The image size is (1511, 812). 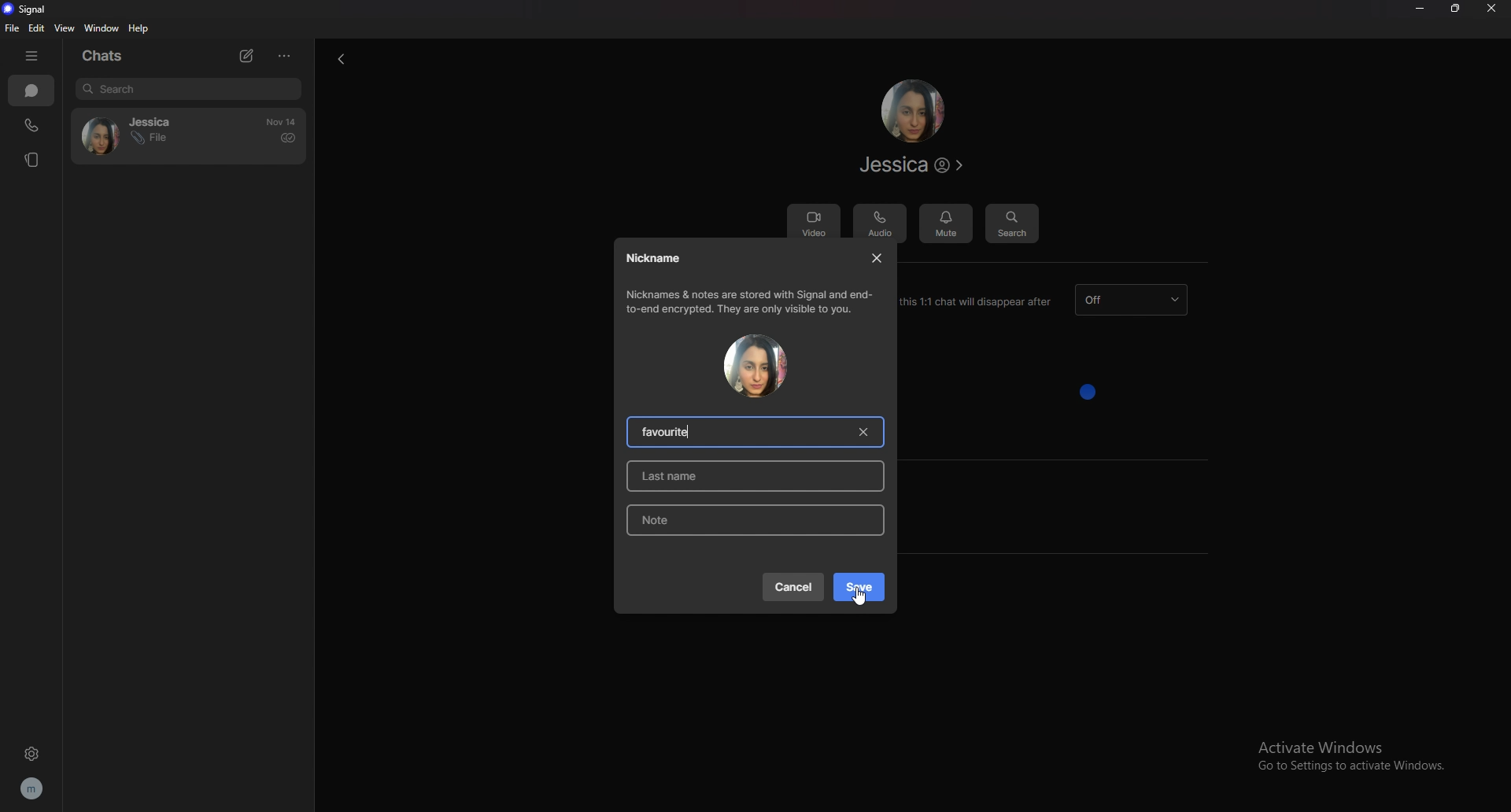 What do you see at coordinates (31, 90) in the screenshot?
I see `chats` at bounding box center [31, 90].